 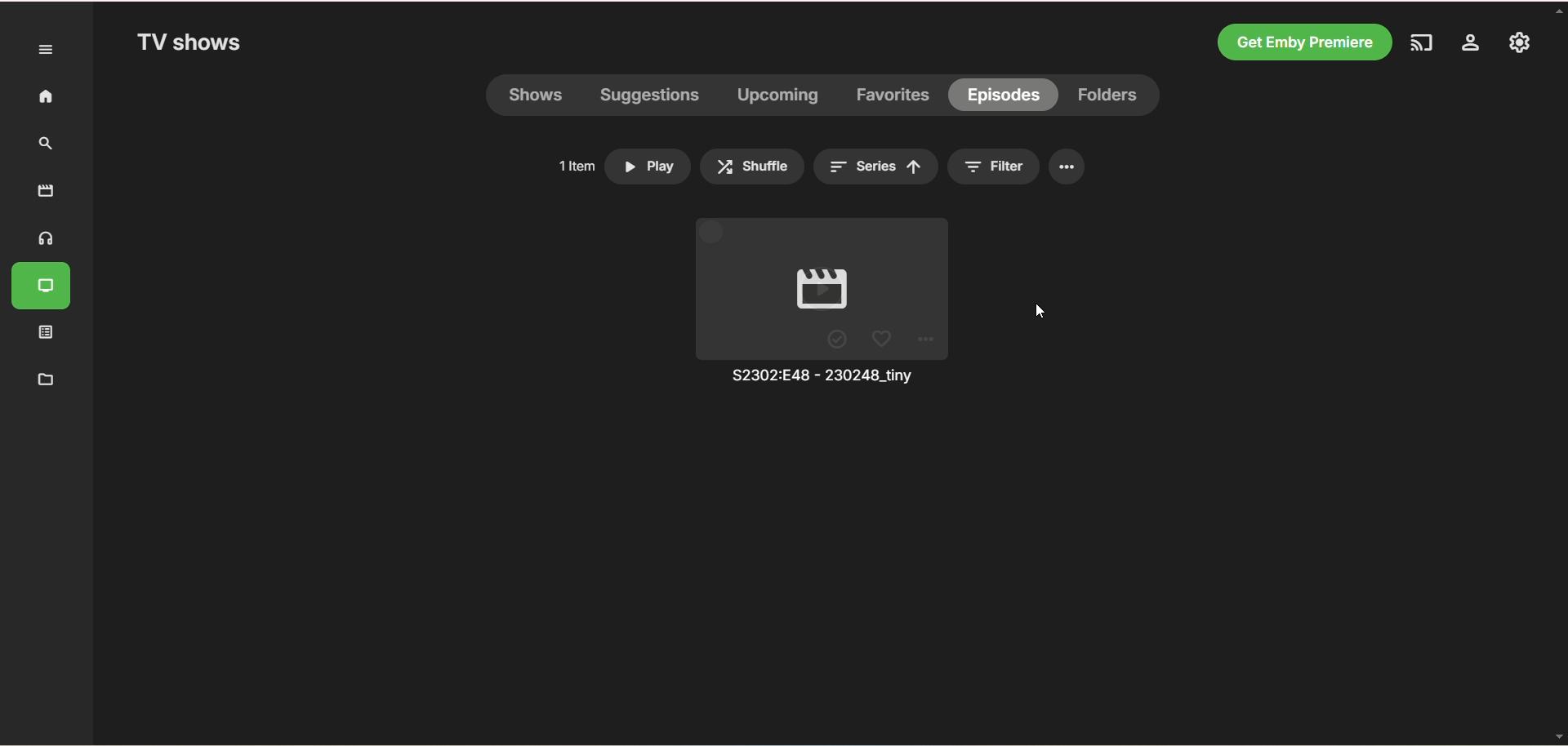 What do you see at coordinates (570, 163) in the screenshot?
I see `1ltem` at bounding box center [570, 163].